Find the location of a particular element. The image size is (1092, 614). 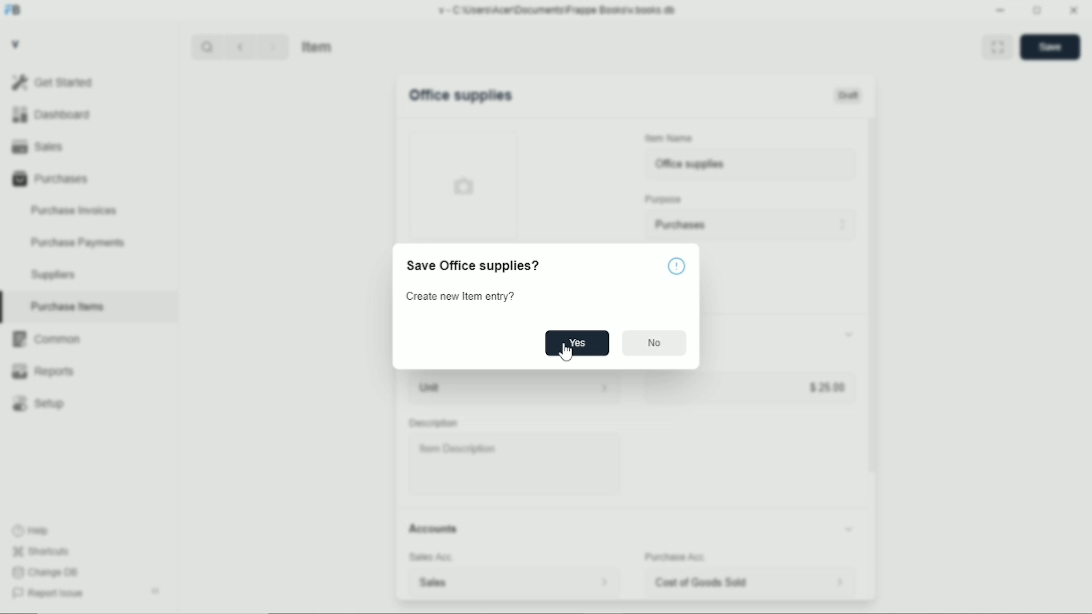

purchase payments is located at coordinates (77, 243).